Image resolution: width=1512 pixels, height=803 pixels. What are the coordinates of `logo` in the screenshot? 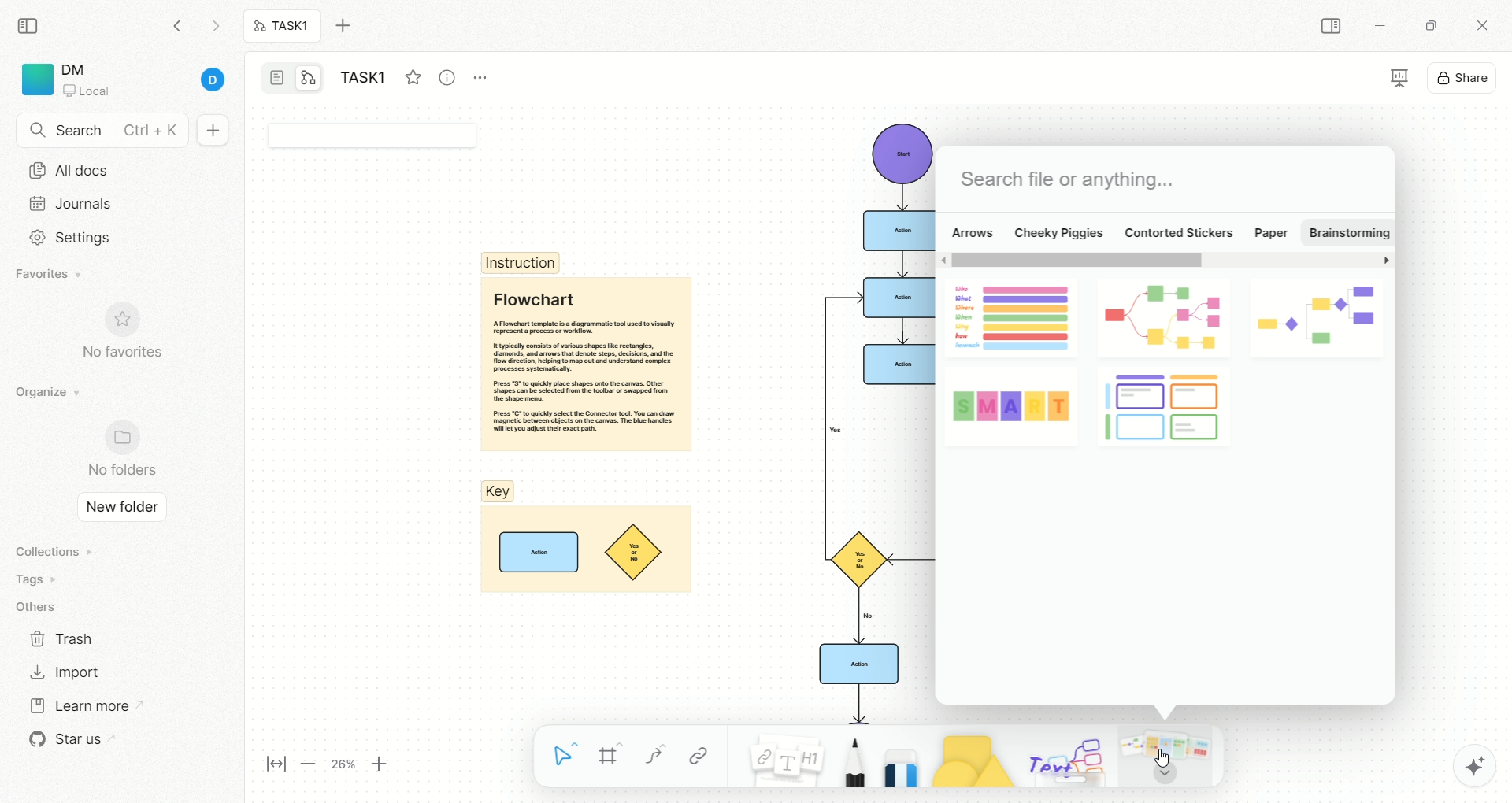 It's located at (35, 80).